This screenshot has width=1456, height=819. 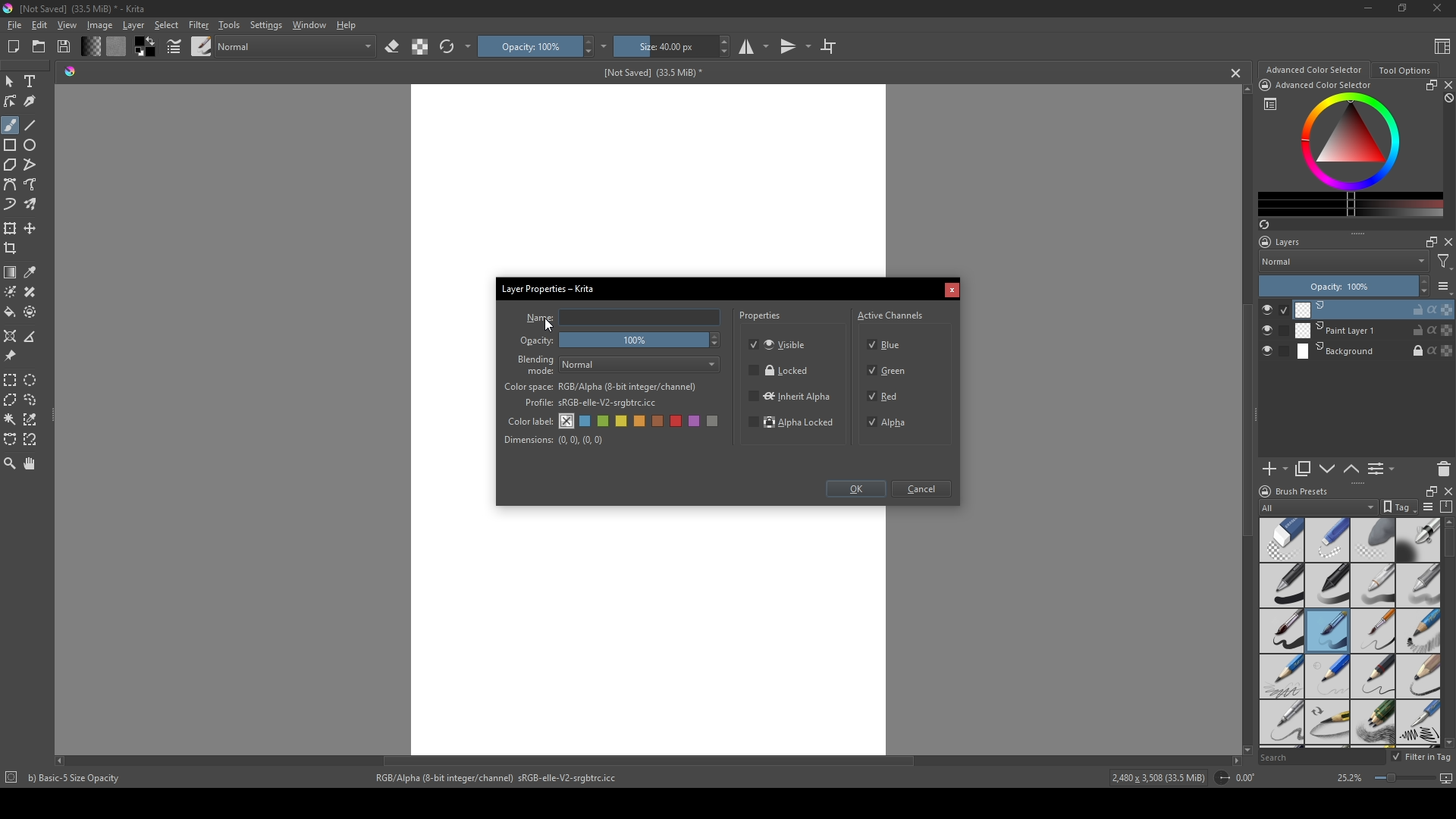 I want to click on brush, so click(x=202, y=45).